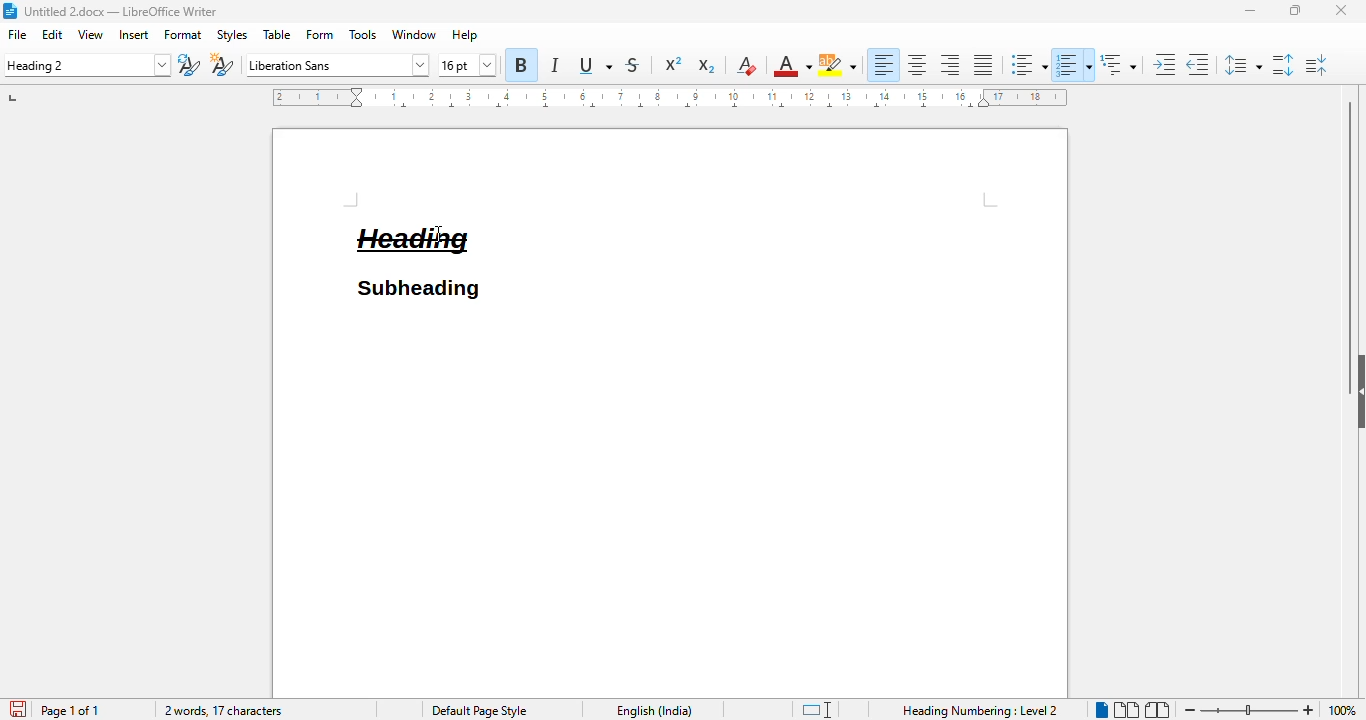  Describe the element at coordinates (19, 35) in the screenshot. I see `file` at that location.